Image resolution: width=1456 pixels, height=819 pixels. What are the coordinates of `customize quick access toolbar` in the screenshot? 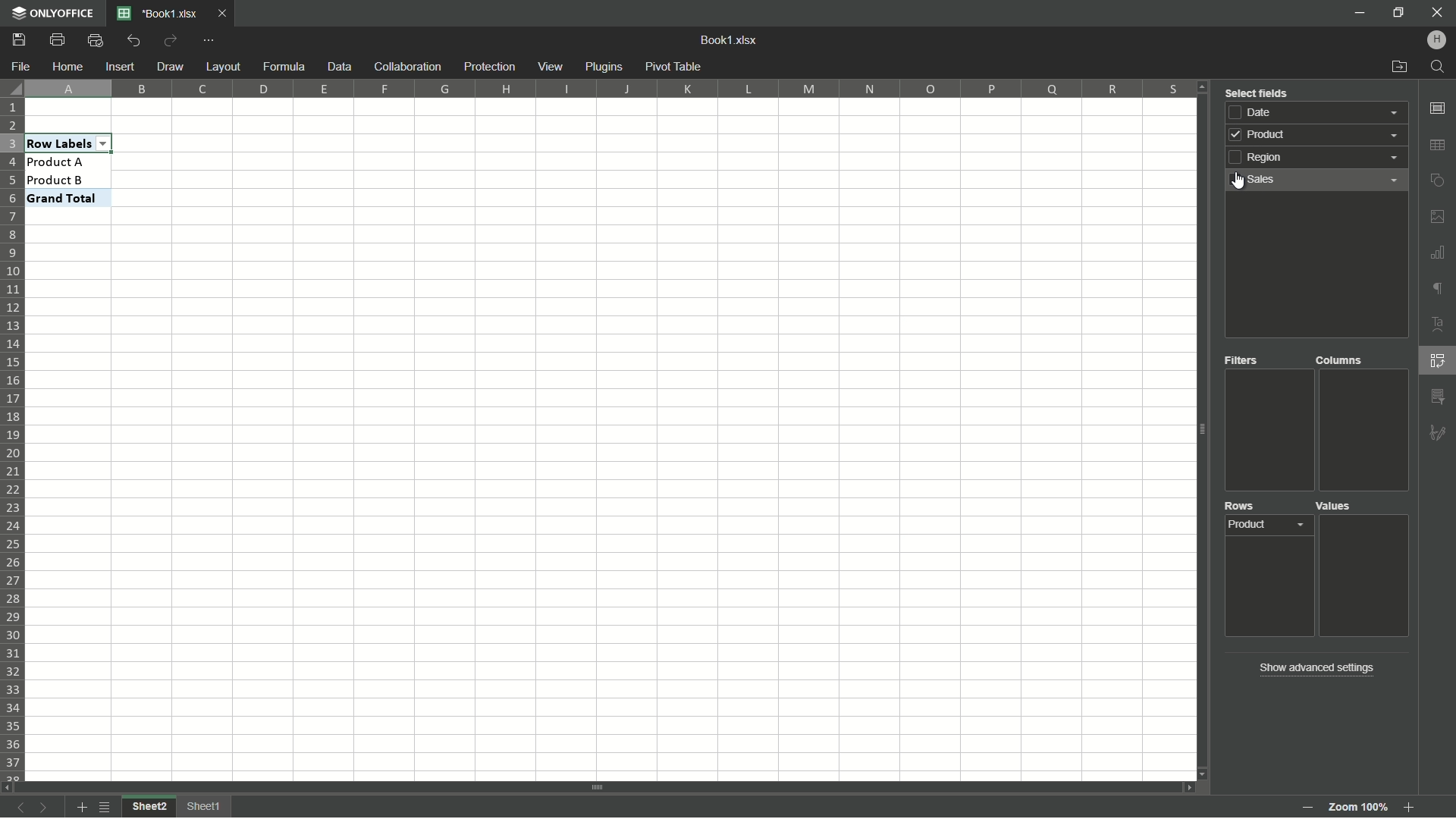 It's located at (210, 42).